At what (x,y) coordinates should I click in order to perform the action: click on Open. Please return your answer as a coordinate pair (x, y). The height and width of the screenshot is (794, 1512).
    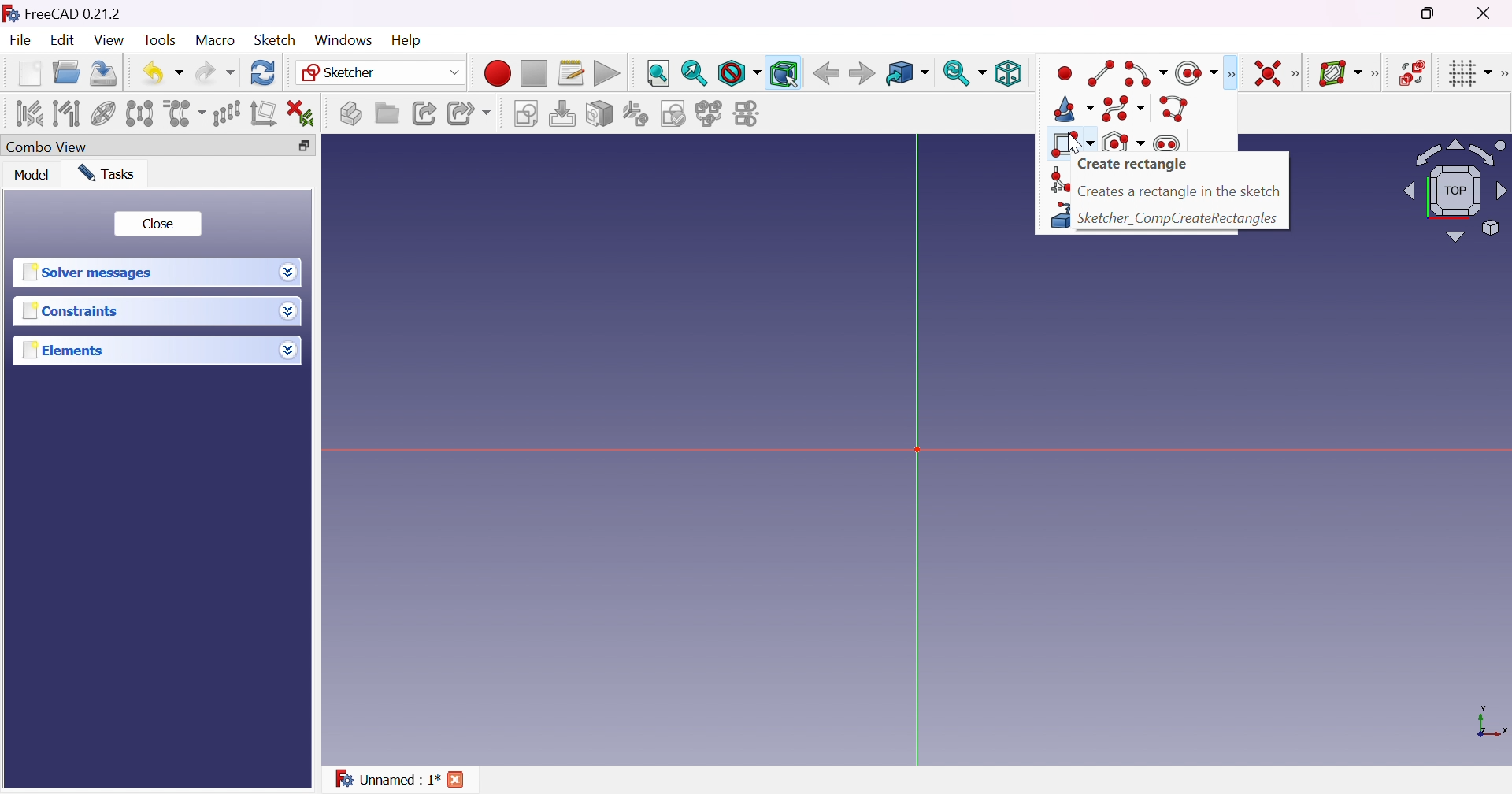
    Looking at the image, I should click on (67, 72).